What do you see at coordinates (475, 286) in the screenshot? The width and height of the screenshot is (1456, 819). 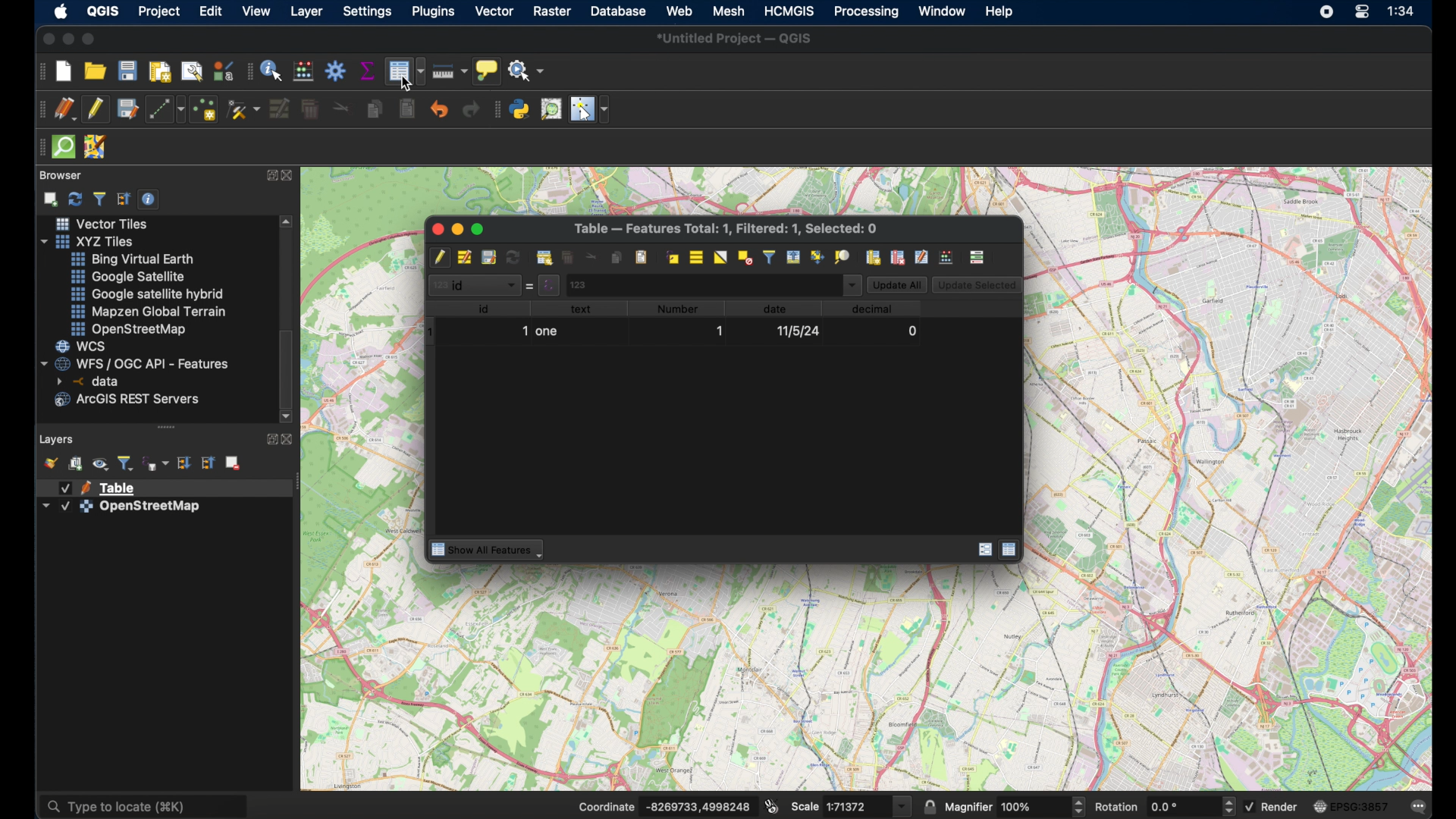 I see `id` at bounding box center [475, 286].